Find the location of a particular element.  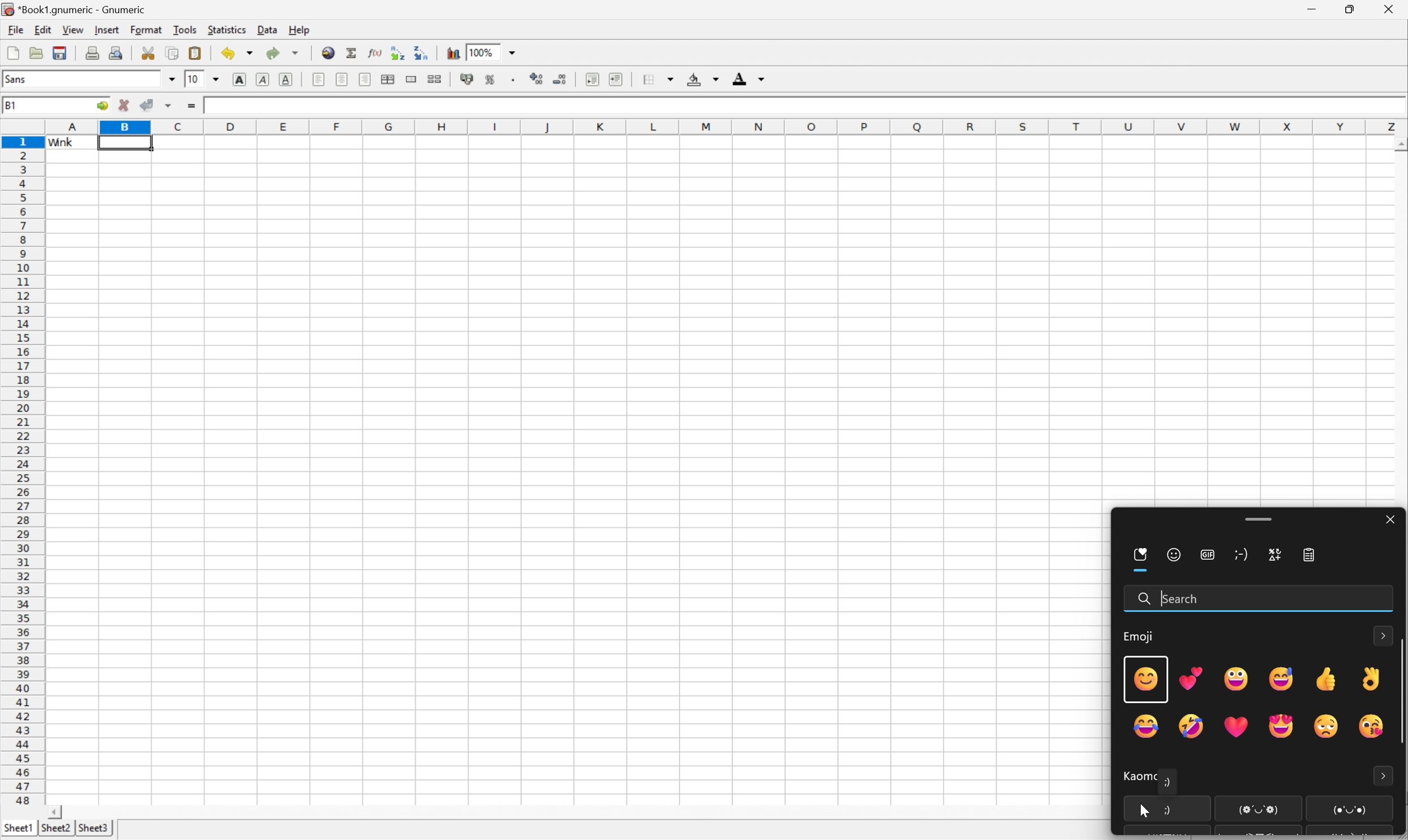

bold is located at coordinates (241, 79).